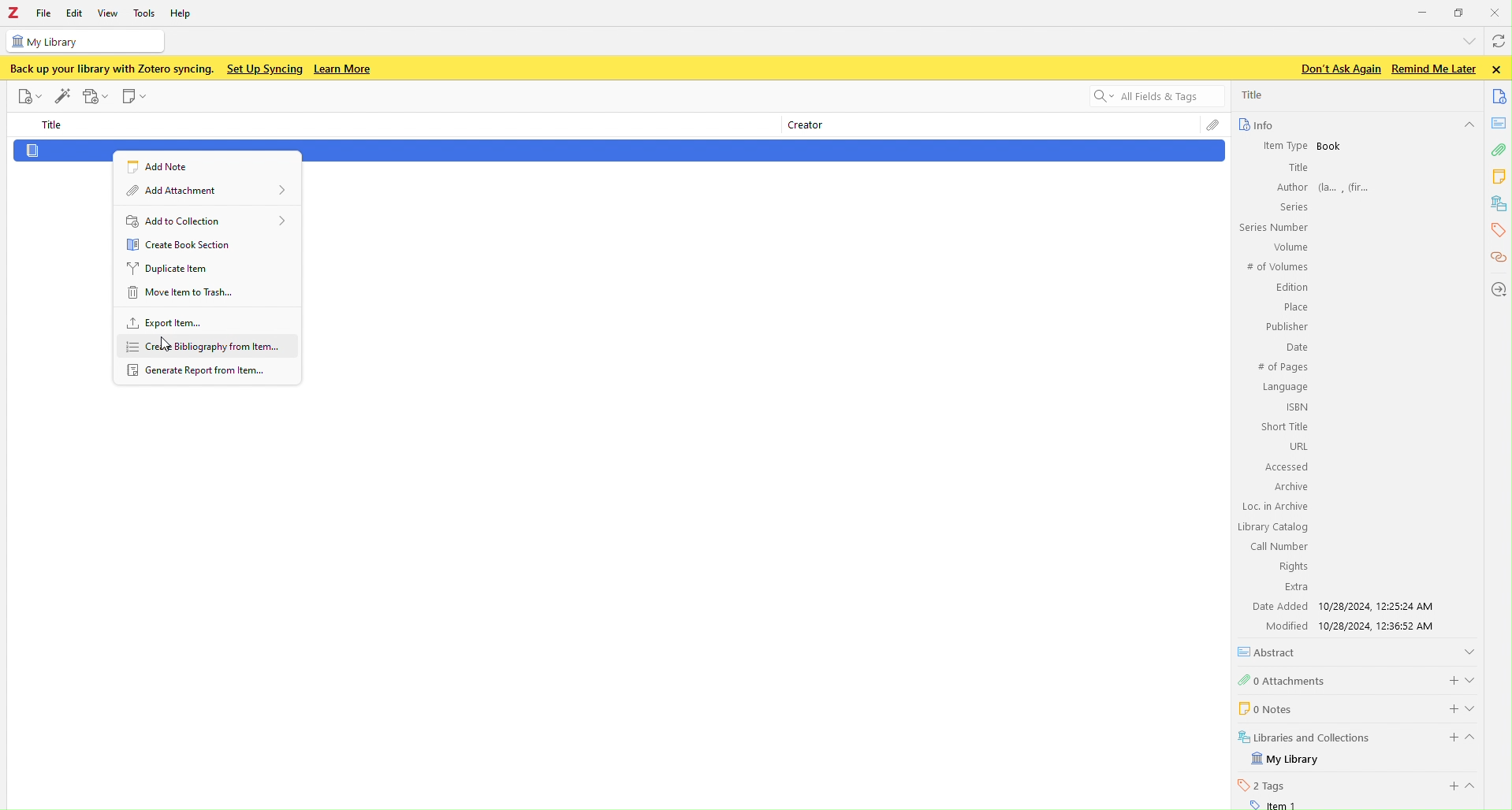 The image size is (1512, 810). What do you see at coordinates (1444, 707) in the screenshot?
I see `add` at bounding box center [1444, 707].